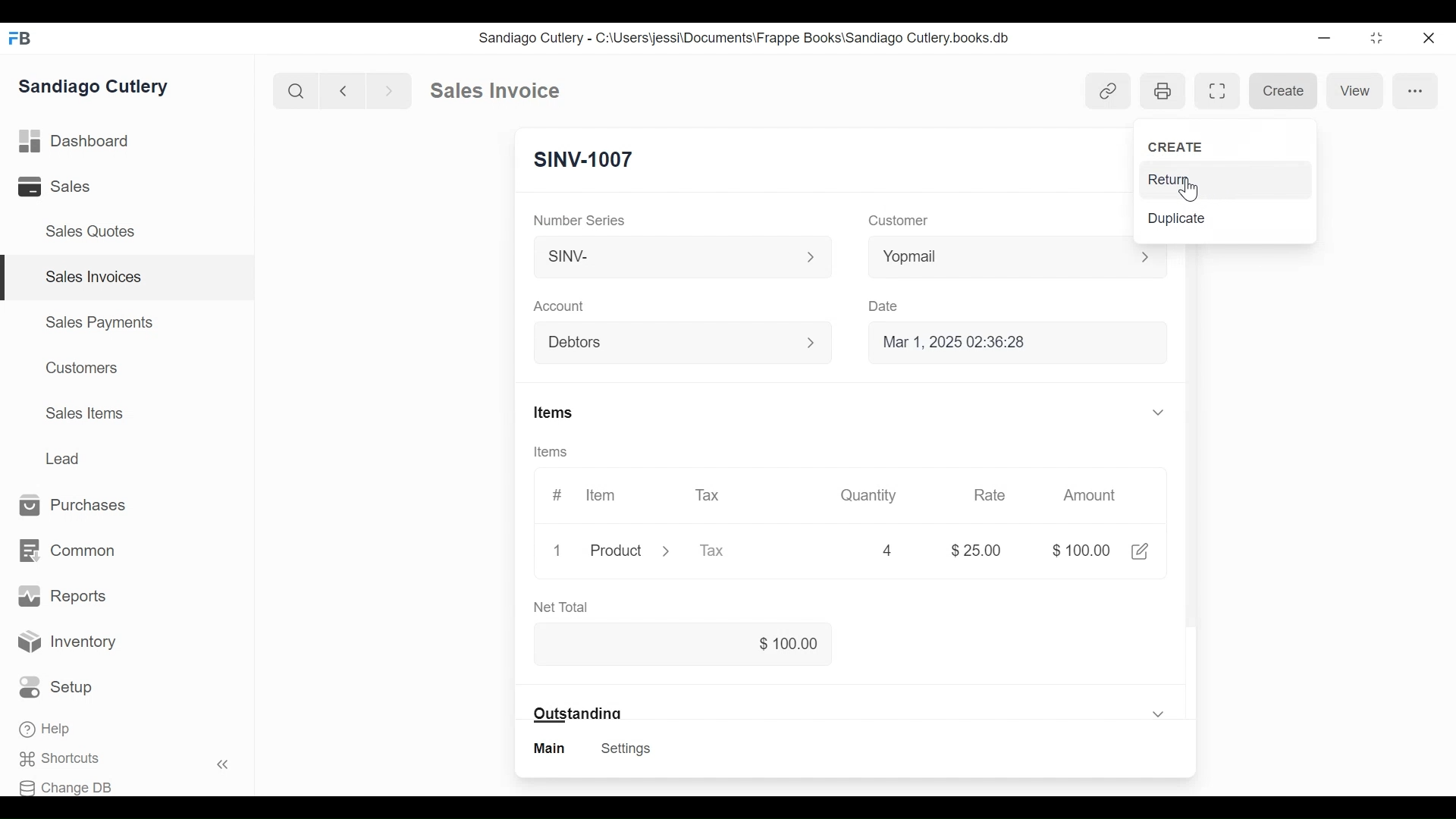  I want to click on Yopmail , so click(1018, 257).